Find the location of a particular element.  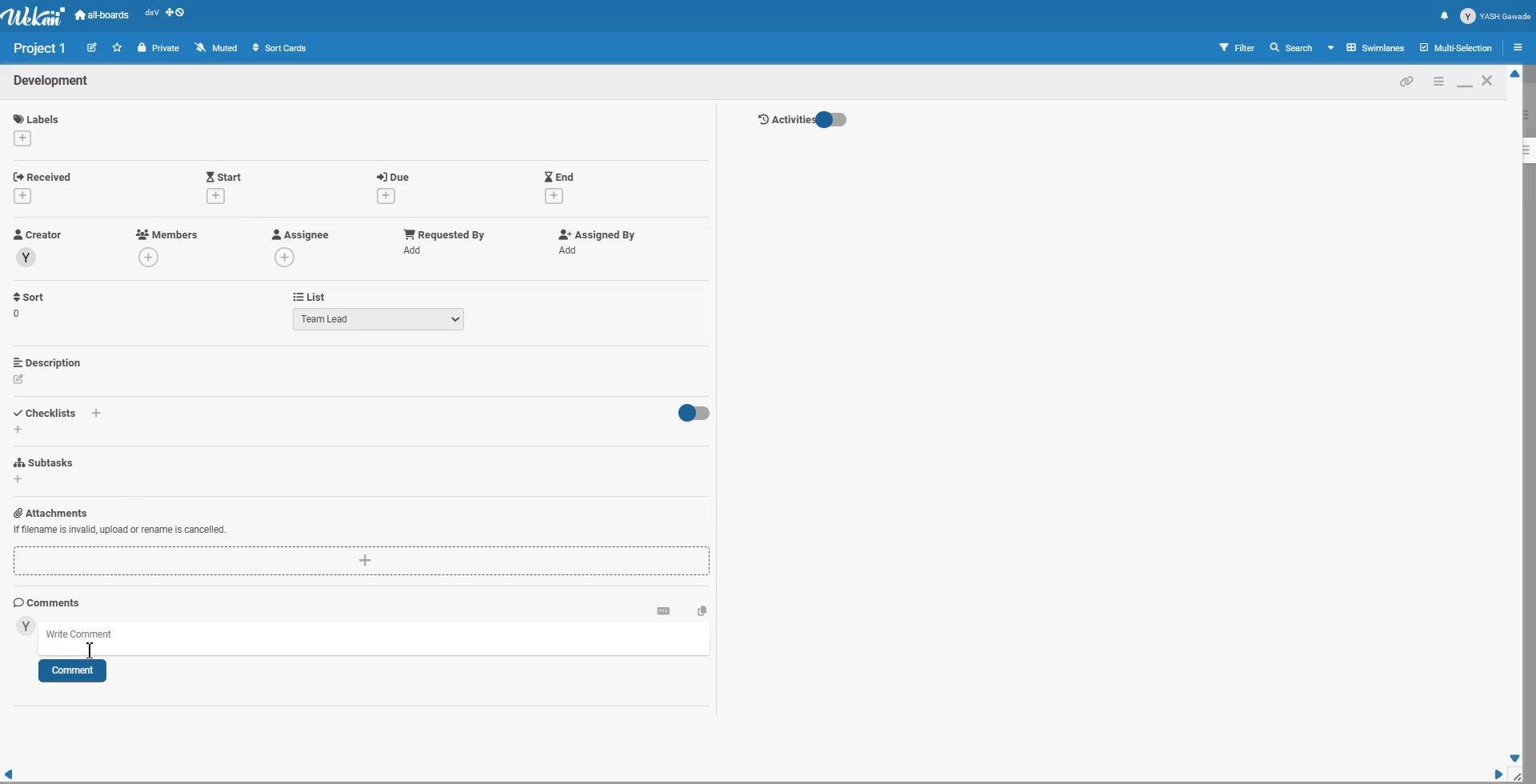

Add Description is located at coordinates (49, 362).